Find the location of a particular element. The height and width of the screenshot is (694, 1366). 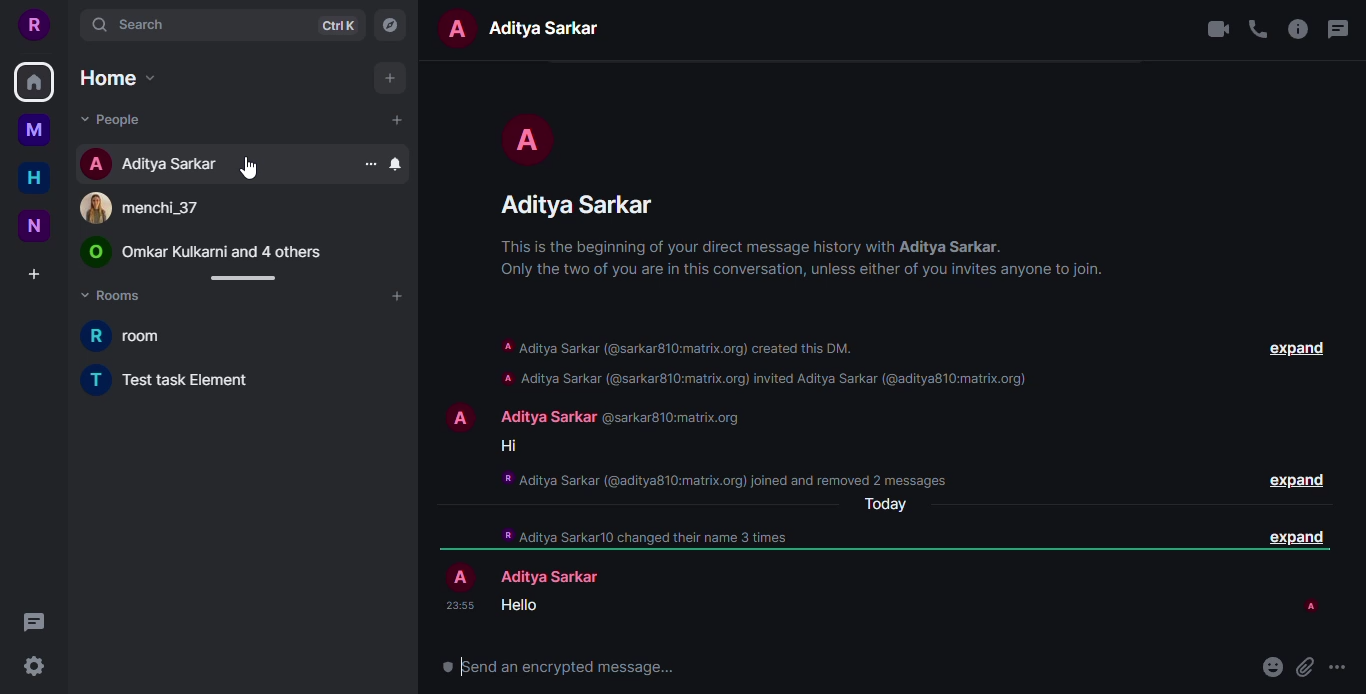

1 is located at coordinates (49, 67).